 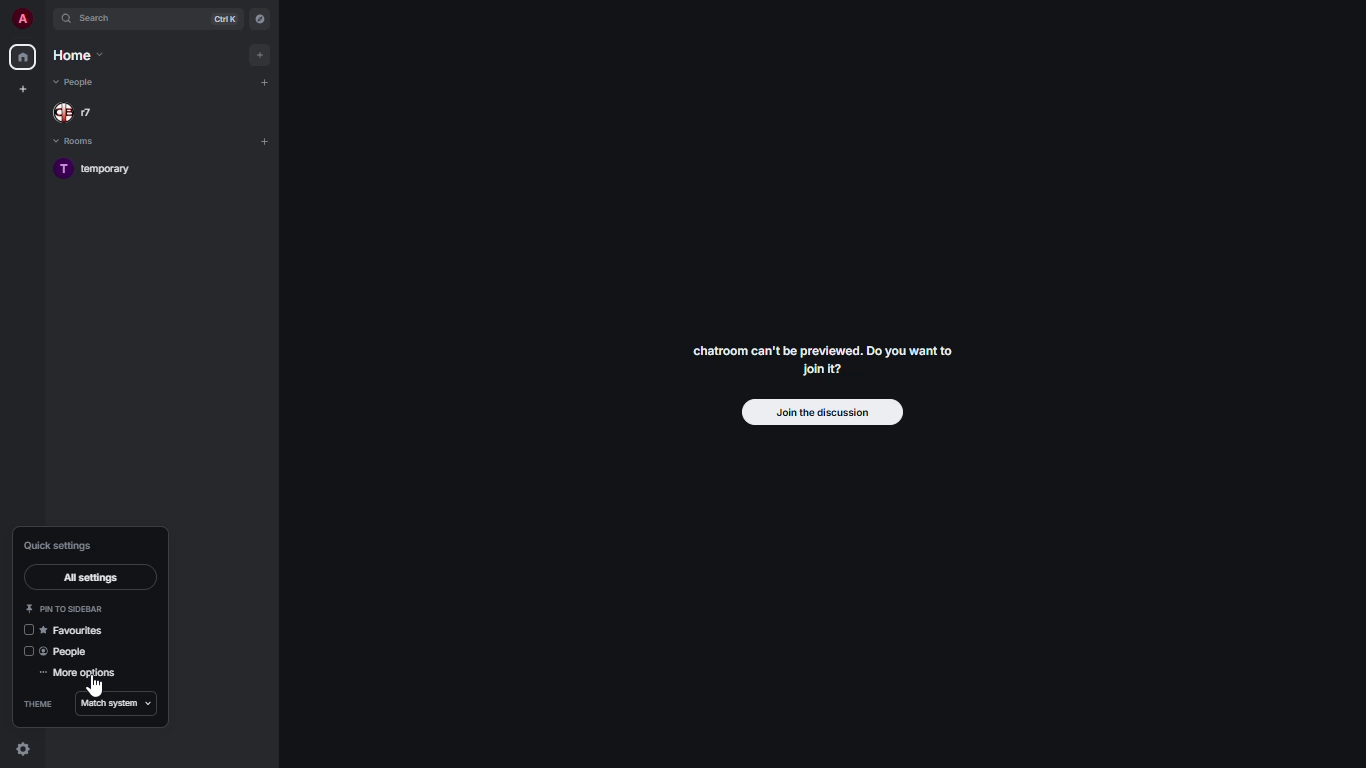 I want to click on join the discussion, so click(x=818, y=412).